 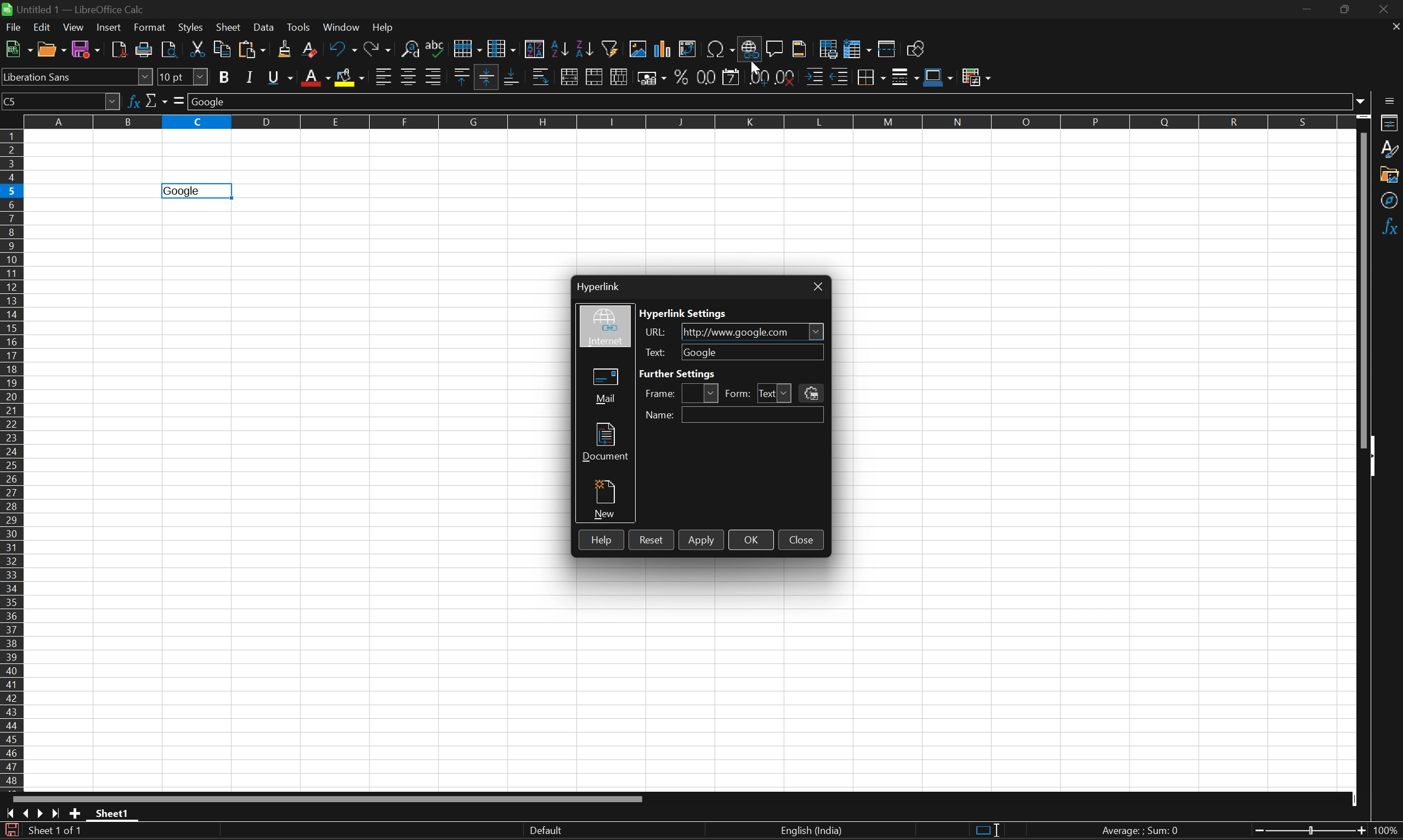 I want to click on Standard selection. Click to change selection mode., so click(x=987, y=832).